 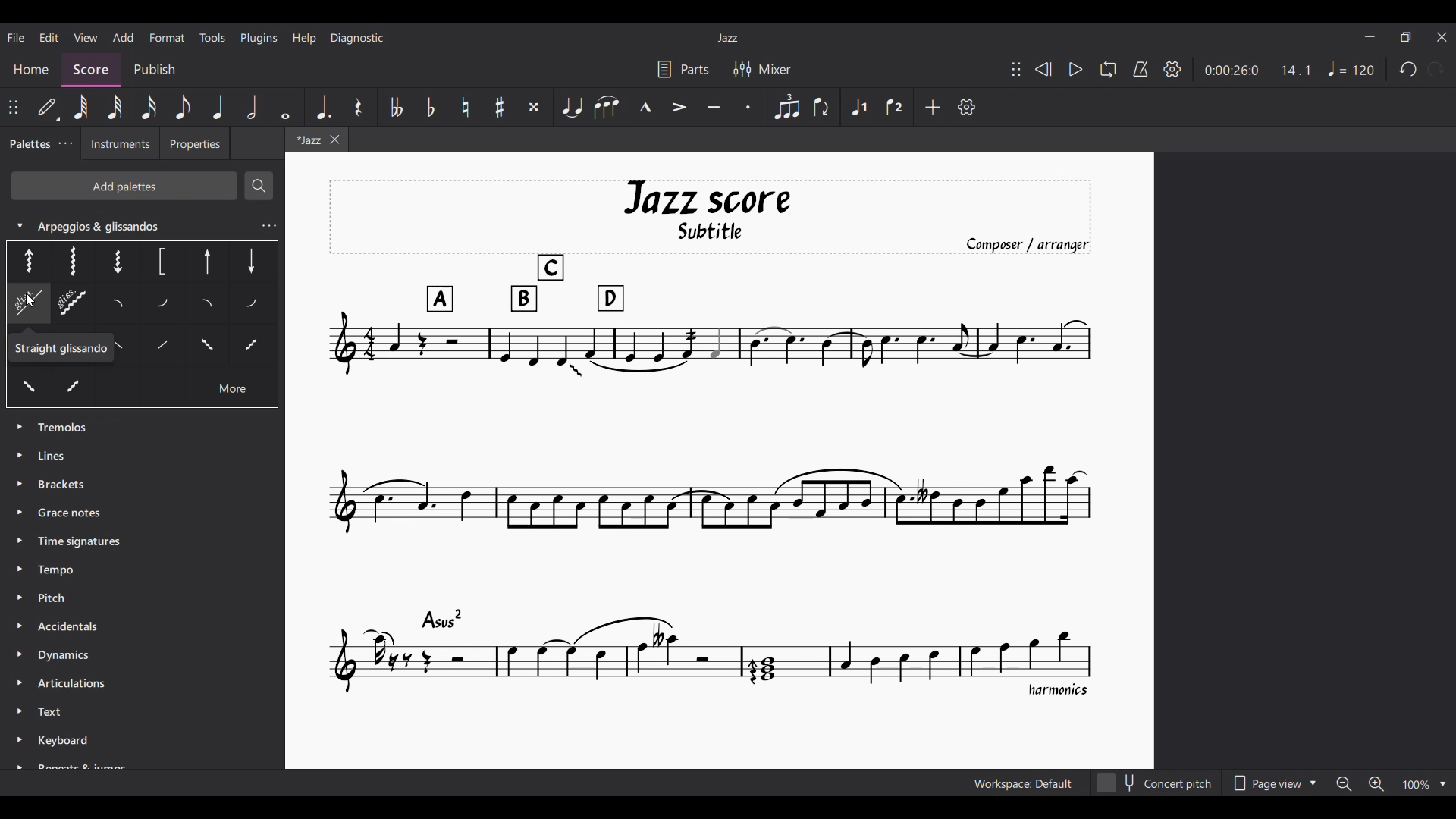 I want to click on Brackets, so click(x=62, y=482).